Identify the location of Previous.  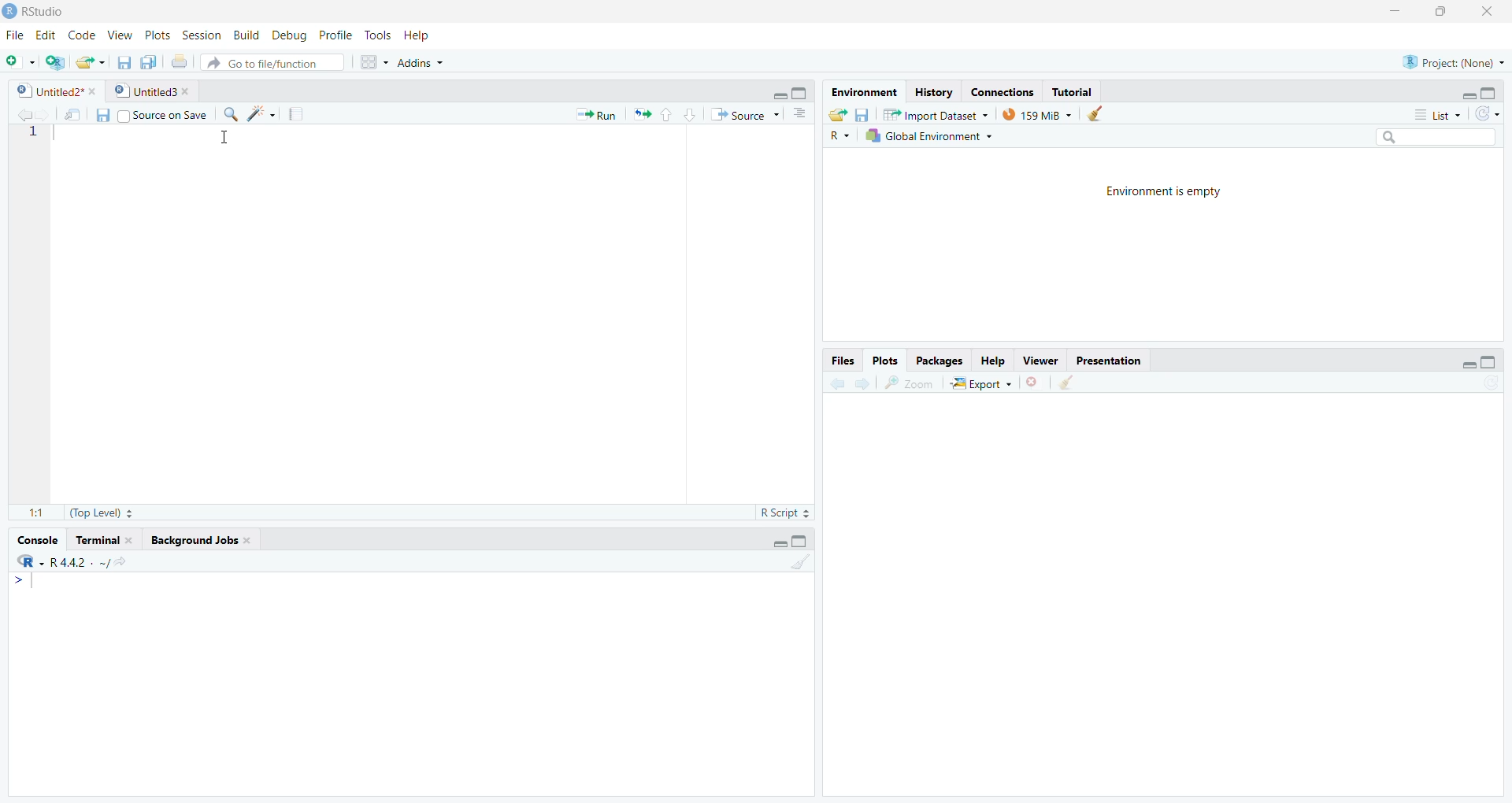
(21, 115).